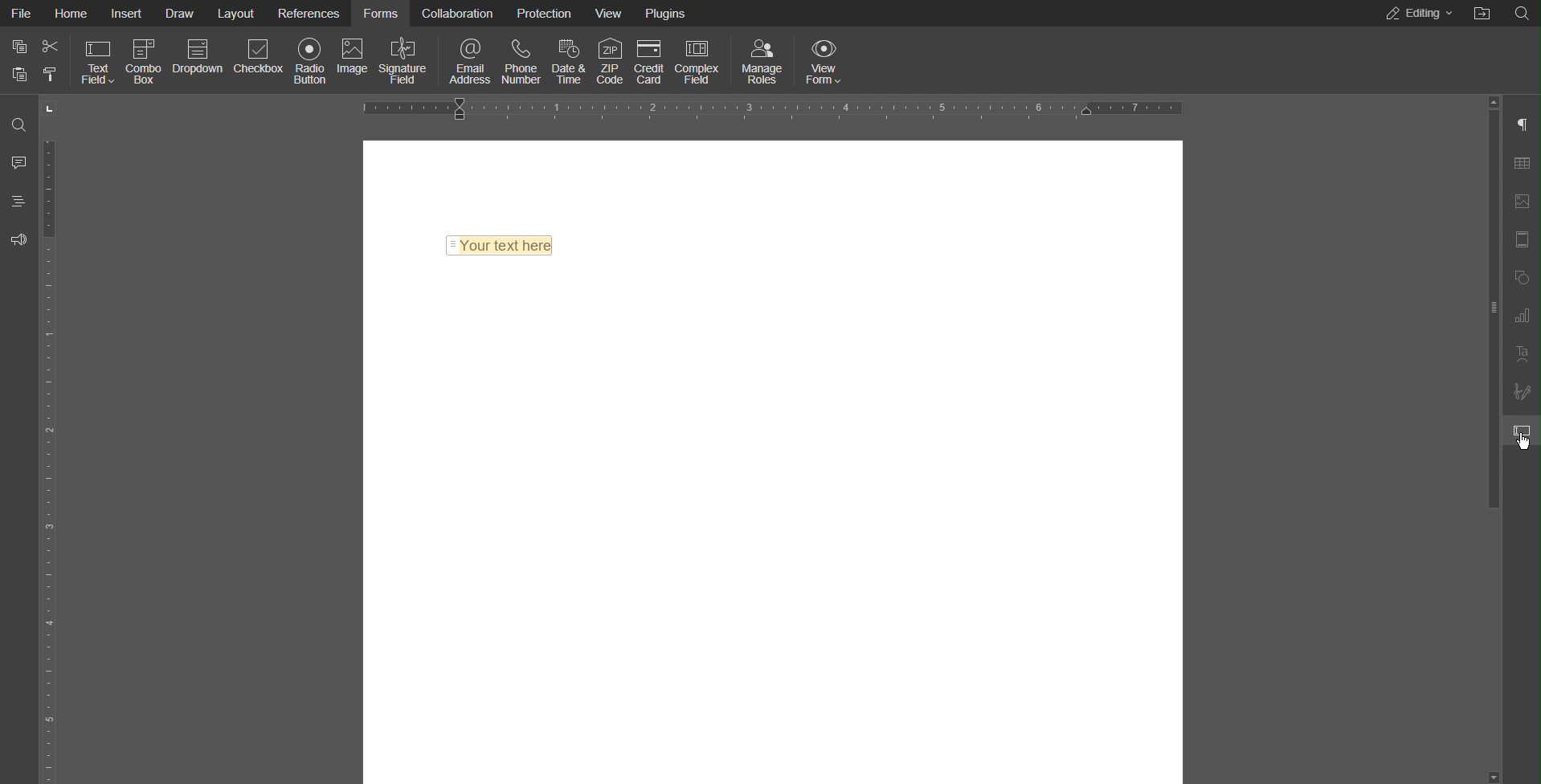  I want to click on Text Field, so click(98, 61).